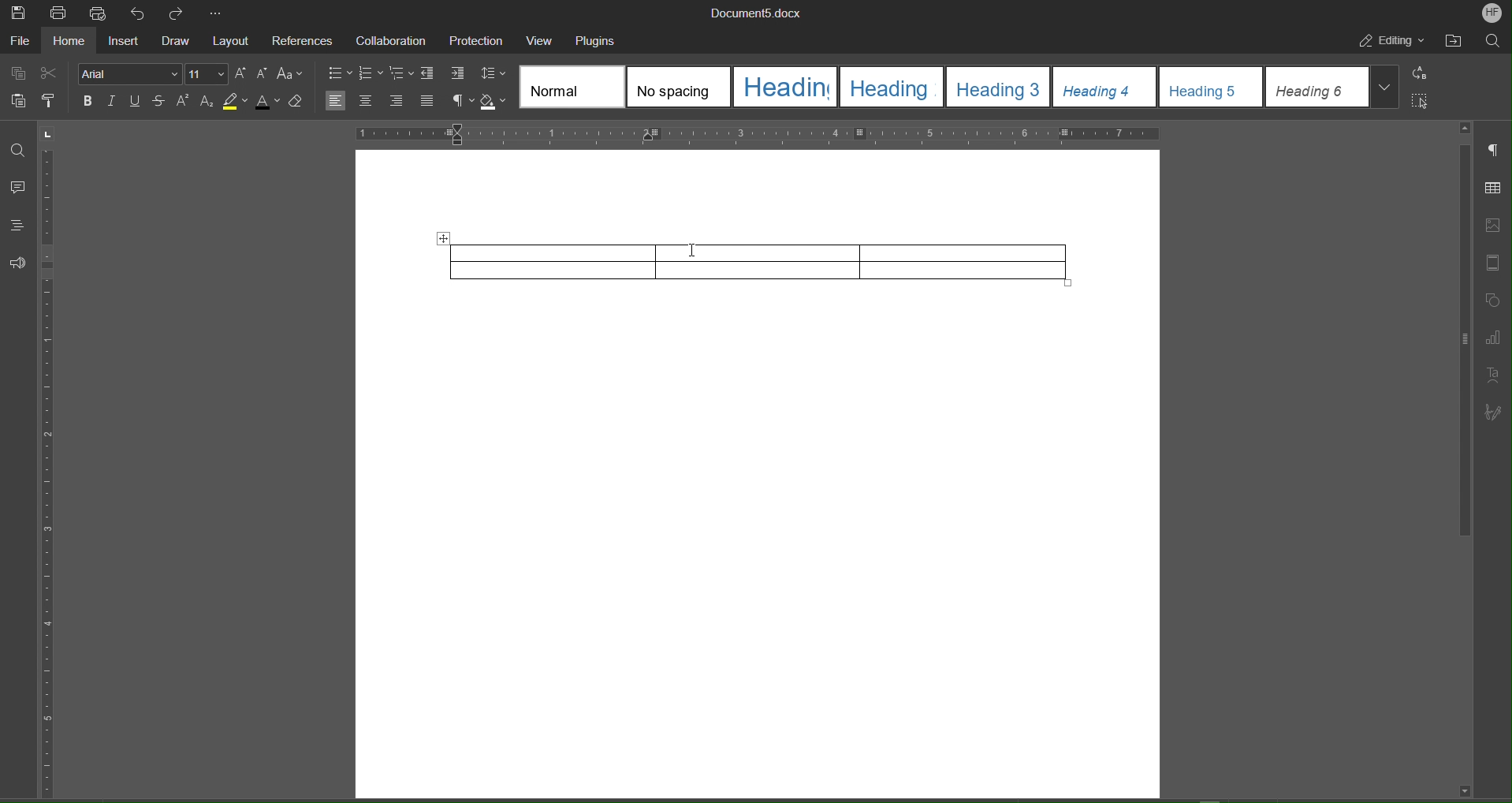 The width and height of the screenshot is (1512, 803). I want to click on Text Art, so click(1496, 373).